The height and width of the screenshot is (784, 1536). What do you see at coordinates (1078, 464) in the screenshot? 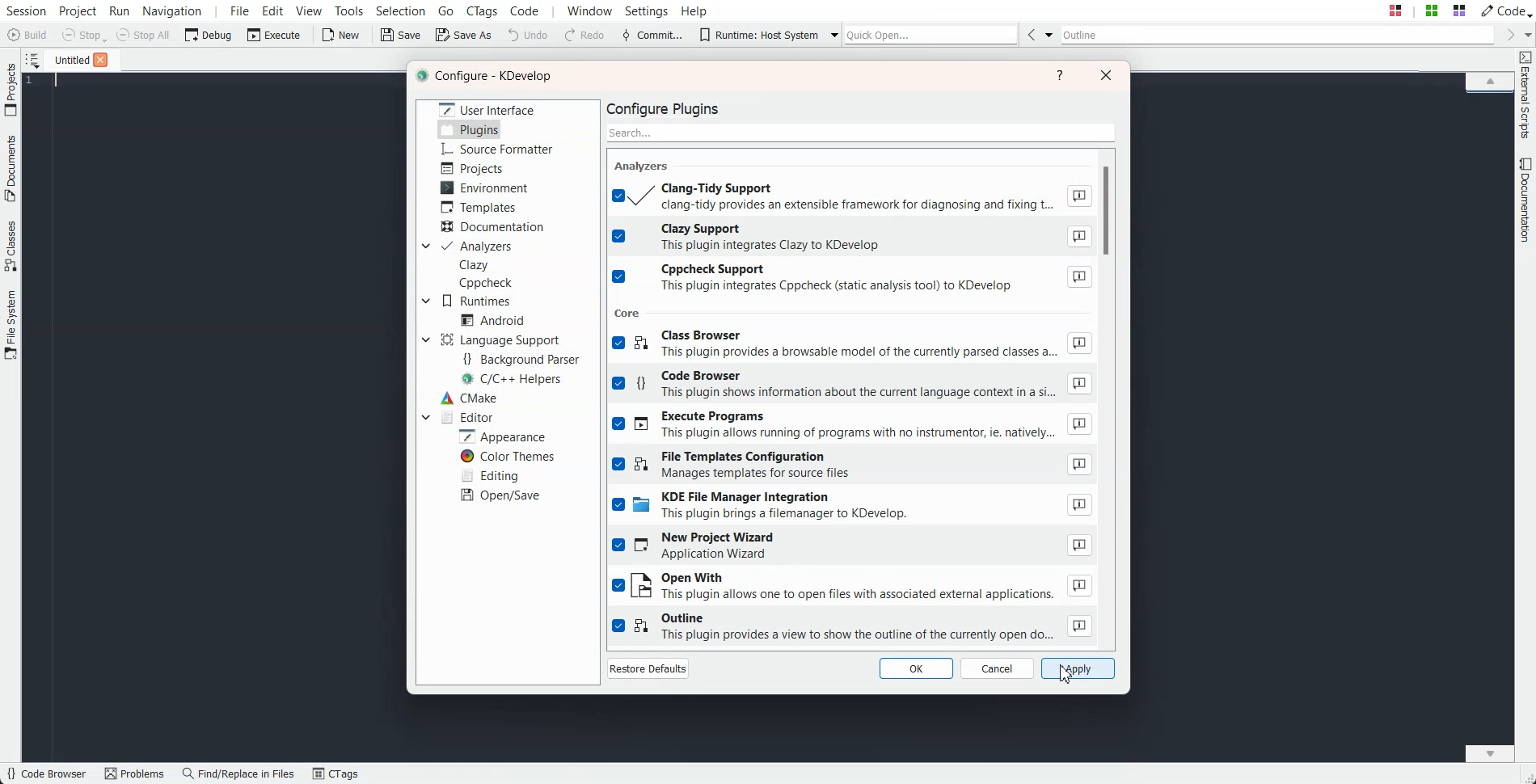
I see `About` at bounding box center [1078, 464].